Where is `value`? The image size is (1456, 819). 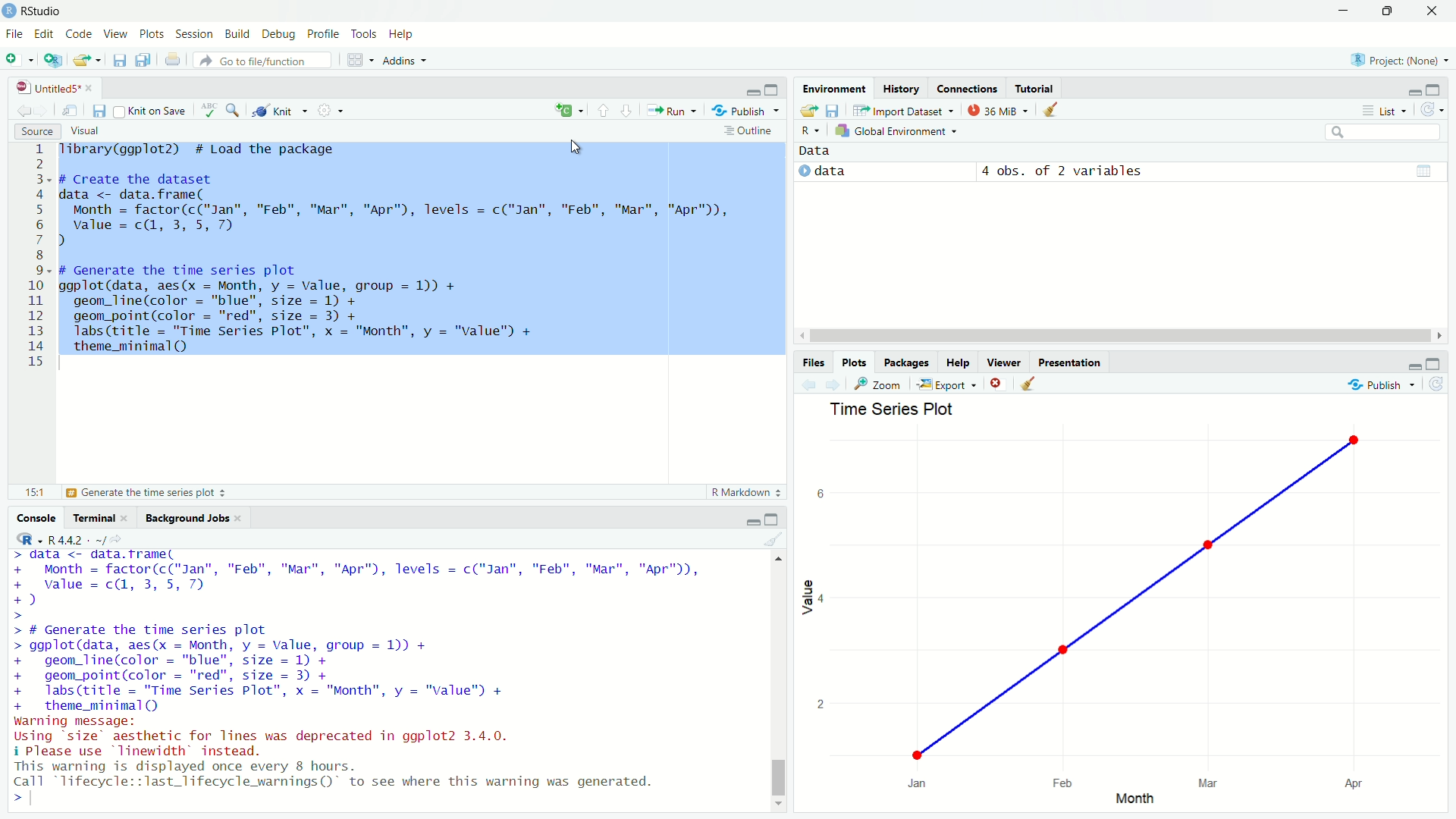 value is located at coordinates (808, 597).